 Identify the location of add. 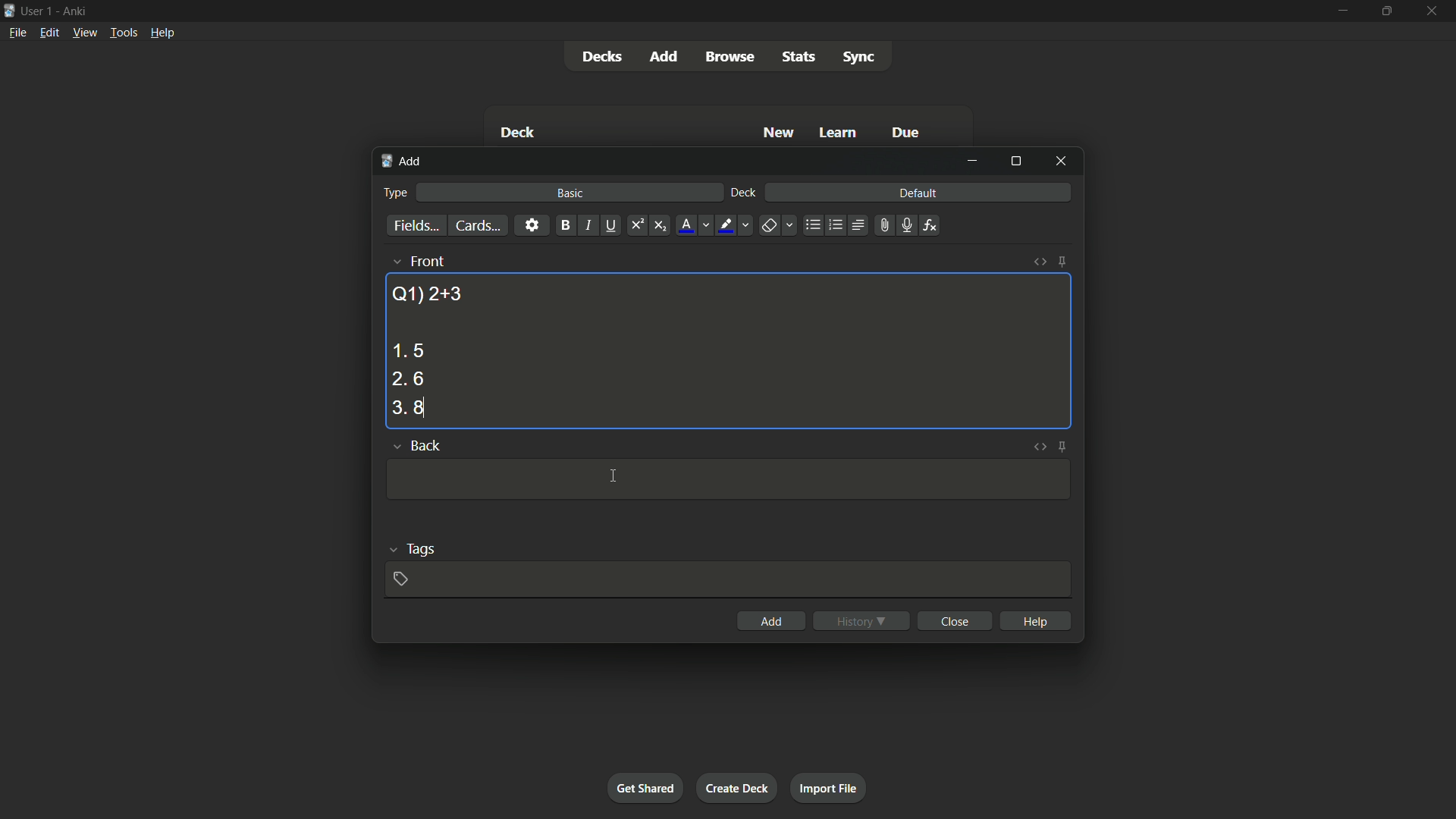
(403, 162).